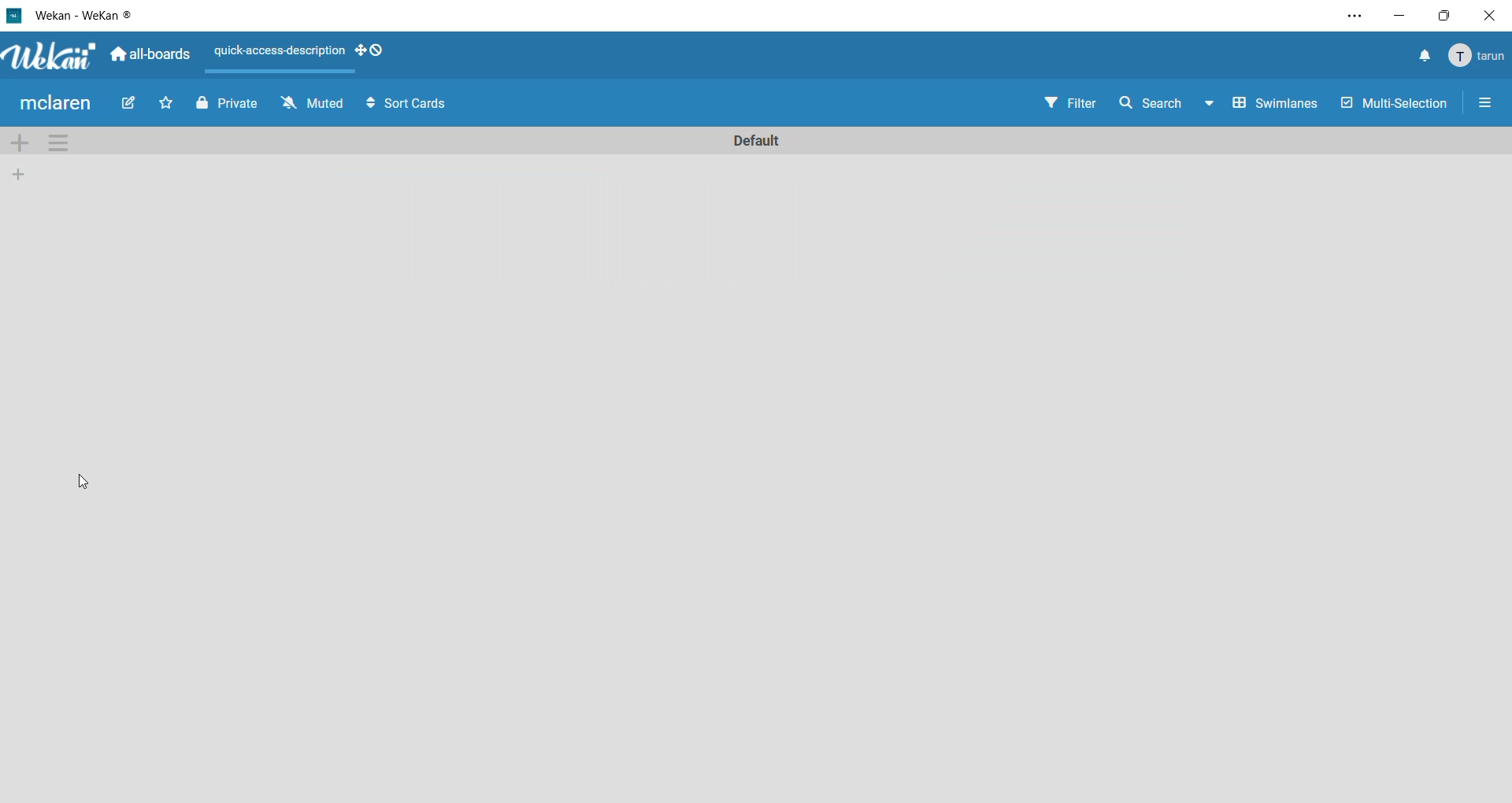 The width and height of the screenshot is (1512, 803). Describe the element at coordinates (369, 52) in the screenshot. I see `show desktop drag handles` at that location.